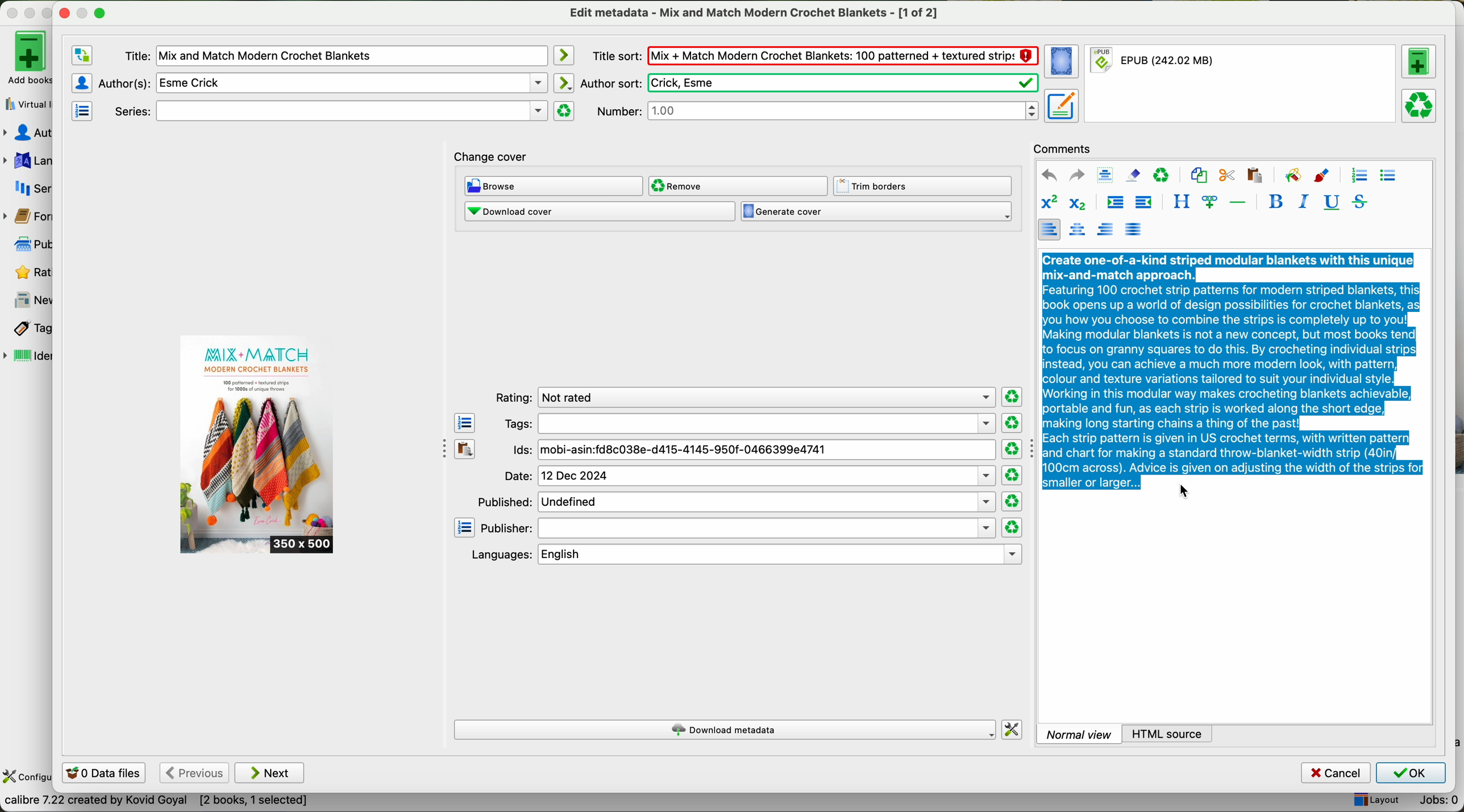  What do you see at coordinates (926, 186) in the screenshot?
I see `trim borders` at bounding box center [926, 186].